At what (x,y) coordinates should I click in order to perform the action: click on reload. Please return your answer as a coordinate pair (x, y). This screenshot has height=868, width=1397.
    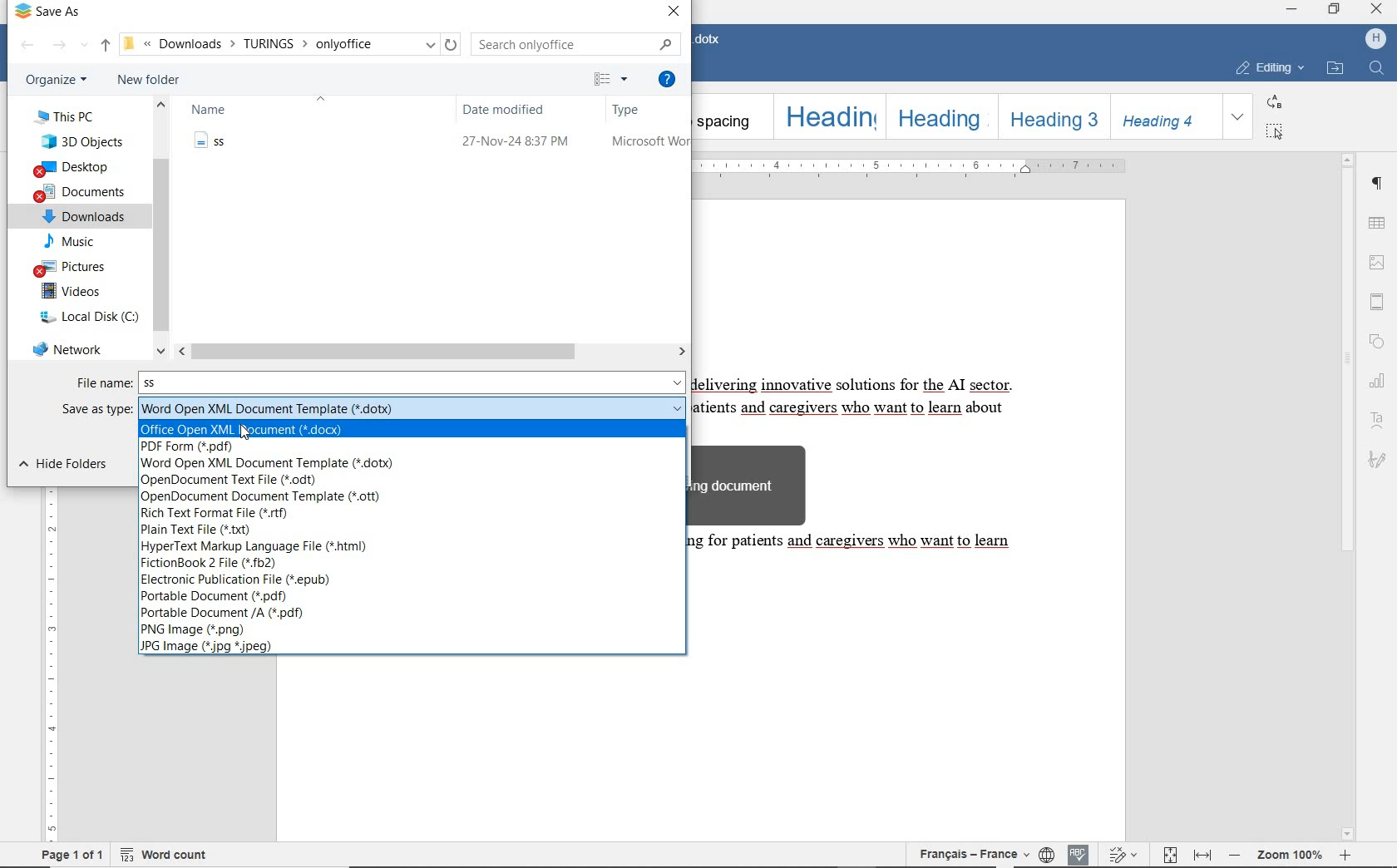
    Looking at the image, I should click on (454, 45).